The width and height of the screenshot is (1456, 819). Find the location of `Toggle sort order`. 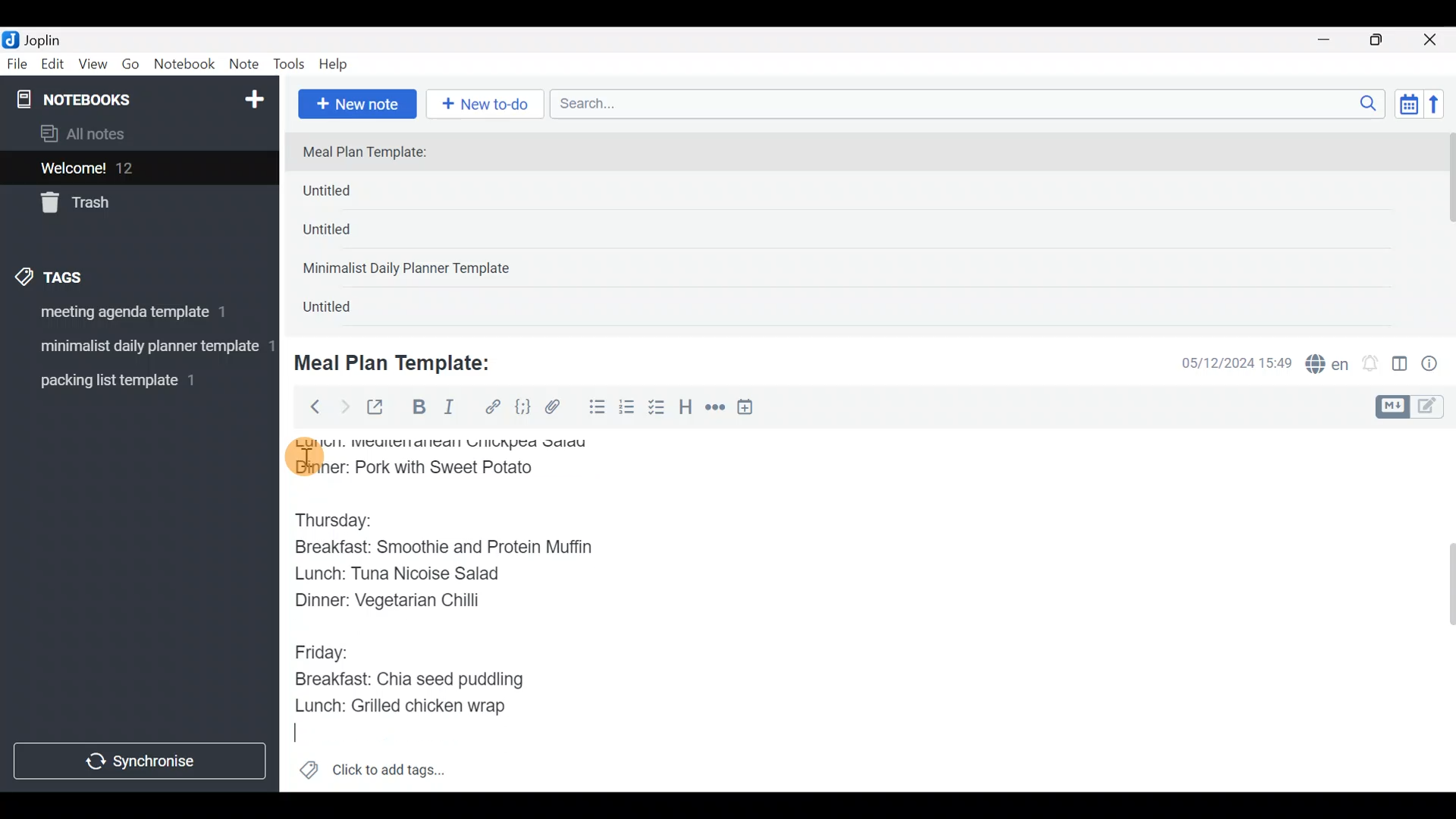

Toggle sort order is located at coordinates (1408, 105).